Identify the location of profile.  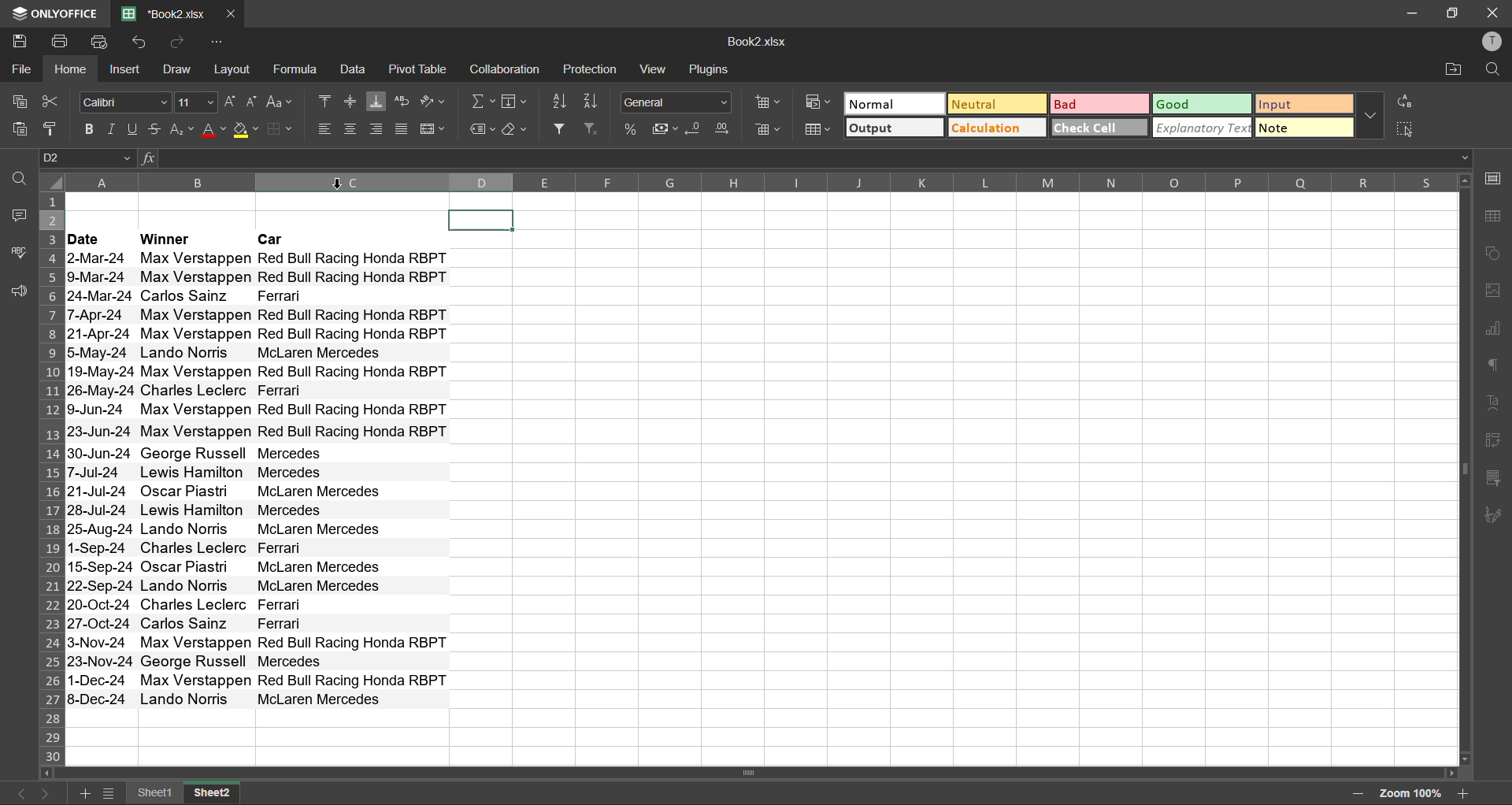
(1492, 41).